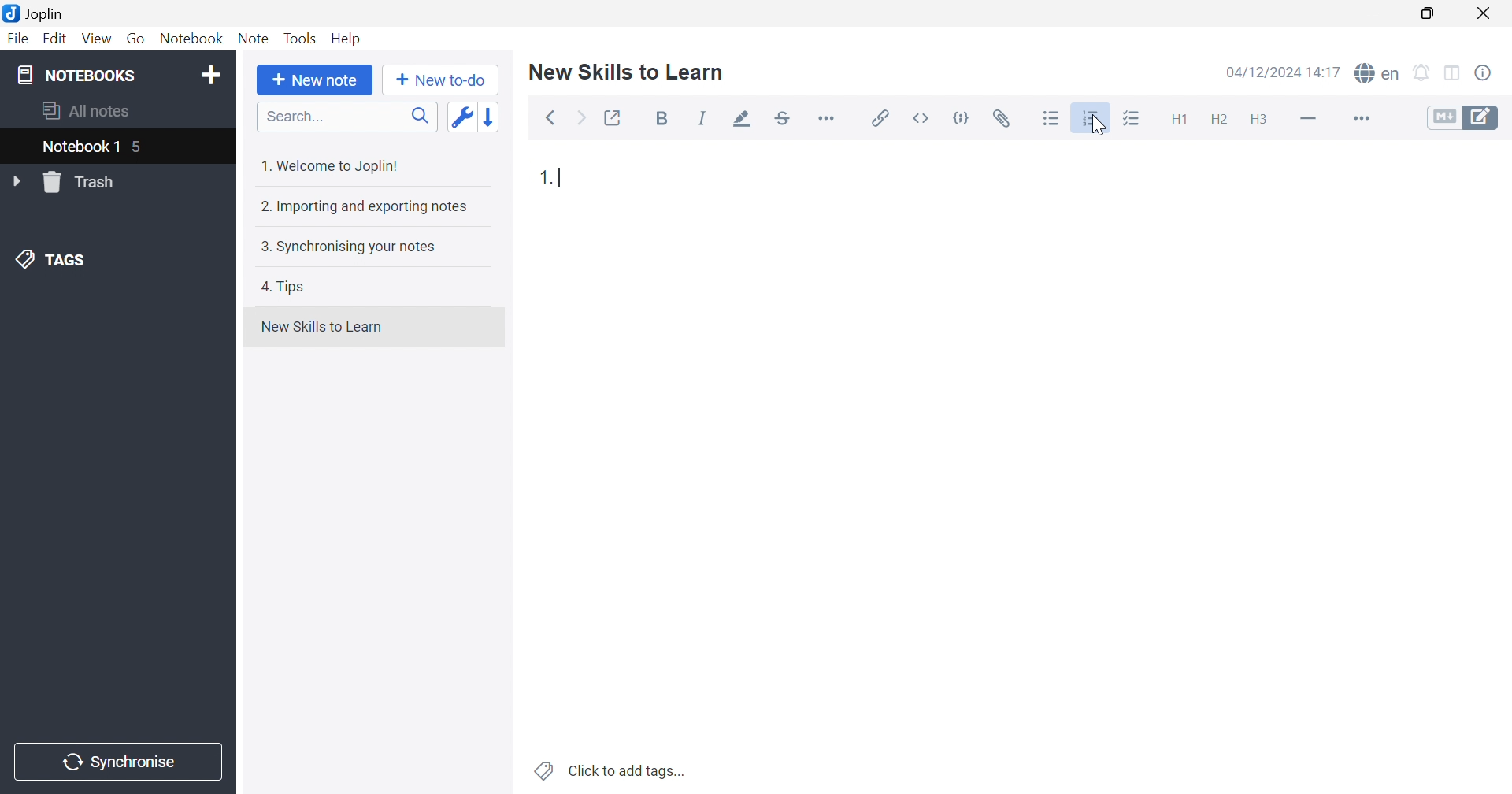 Image resolution: width=1512 pixels, height=794 pixels. What do you see at coordinates (1455, 74) in the screenshot?
I see `Toggle editor layout` at bounding box center [1455, 74].